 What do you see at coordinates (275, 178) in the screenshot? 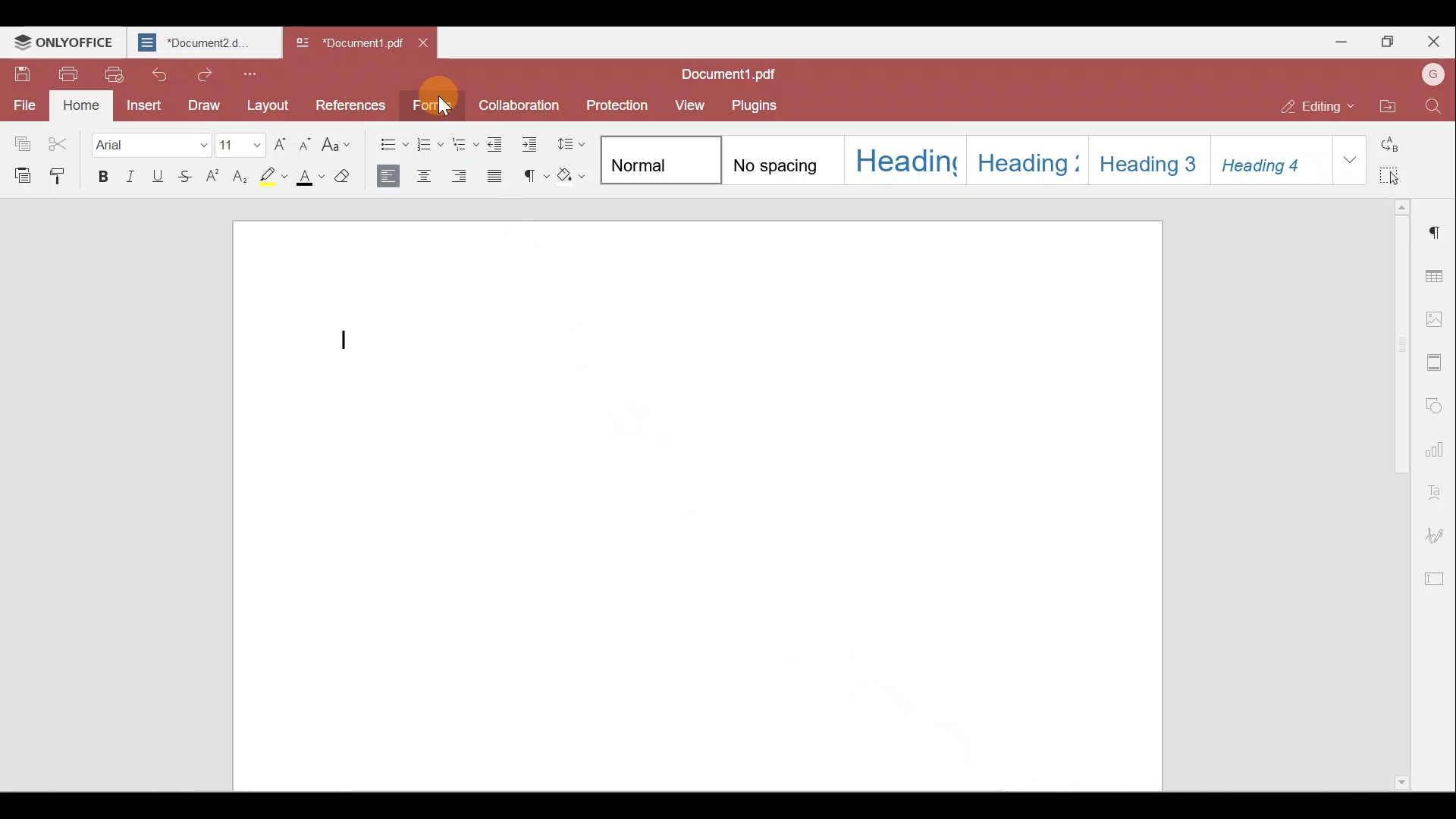
I see `Highlight color` at bounding box center [275, 178].